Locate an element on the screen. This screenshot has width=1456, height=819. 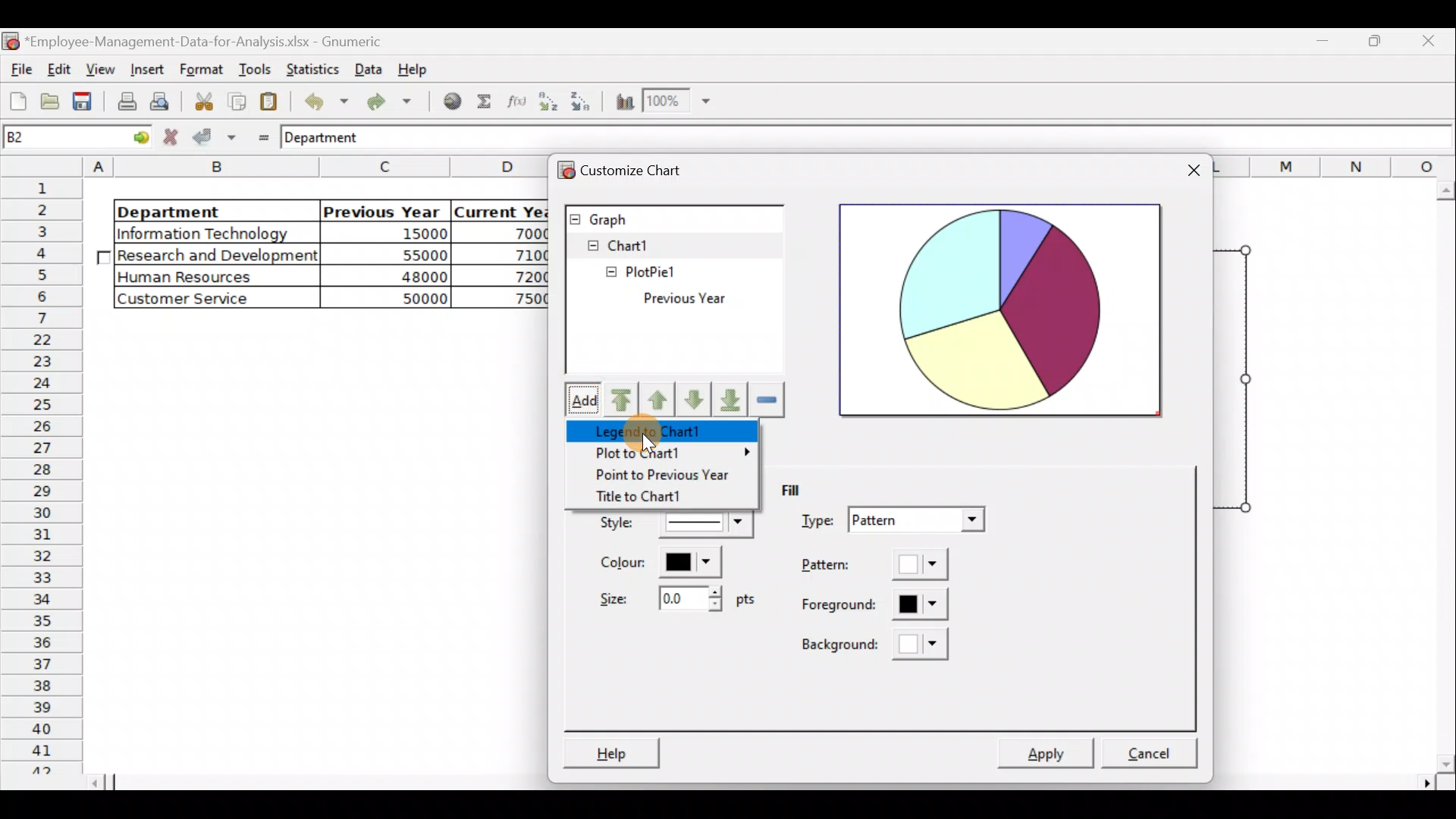
Zoom is located at coordinates (676, 103).